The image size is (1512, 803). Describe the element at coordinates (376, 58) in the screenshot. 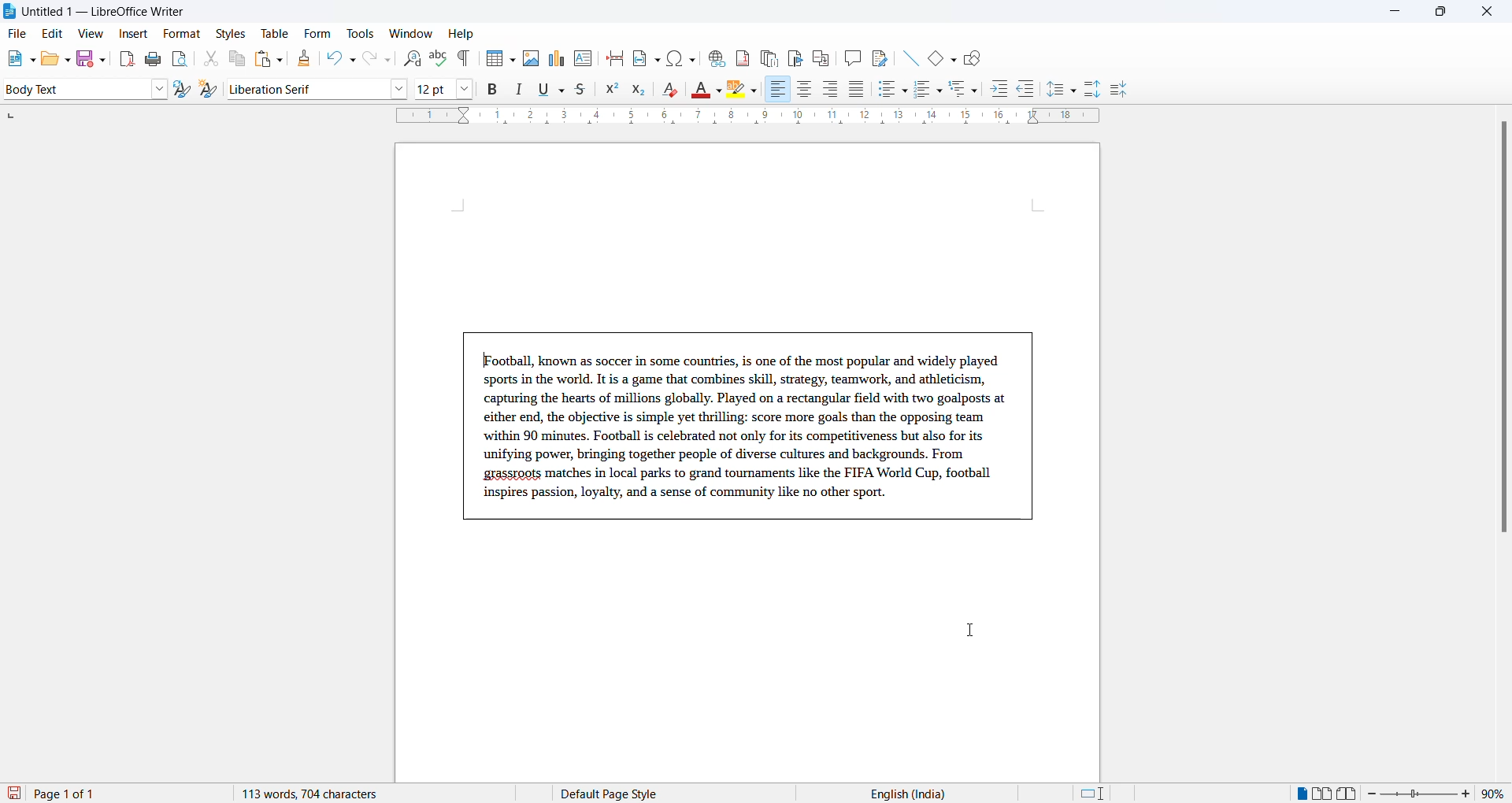

I see `redo` at that location.